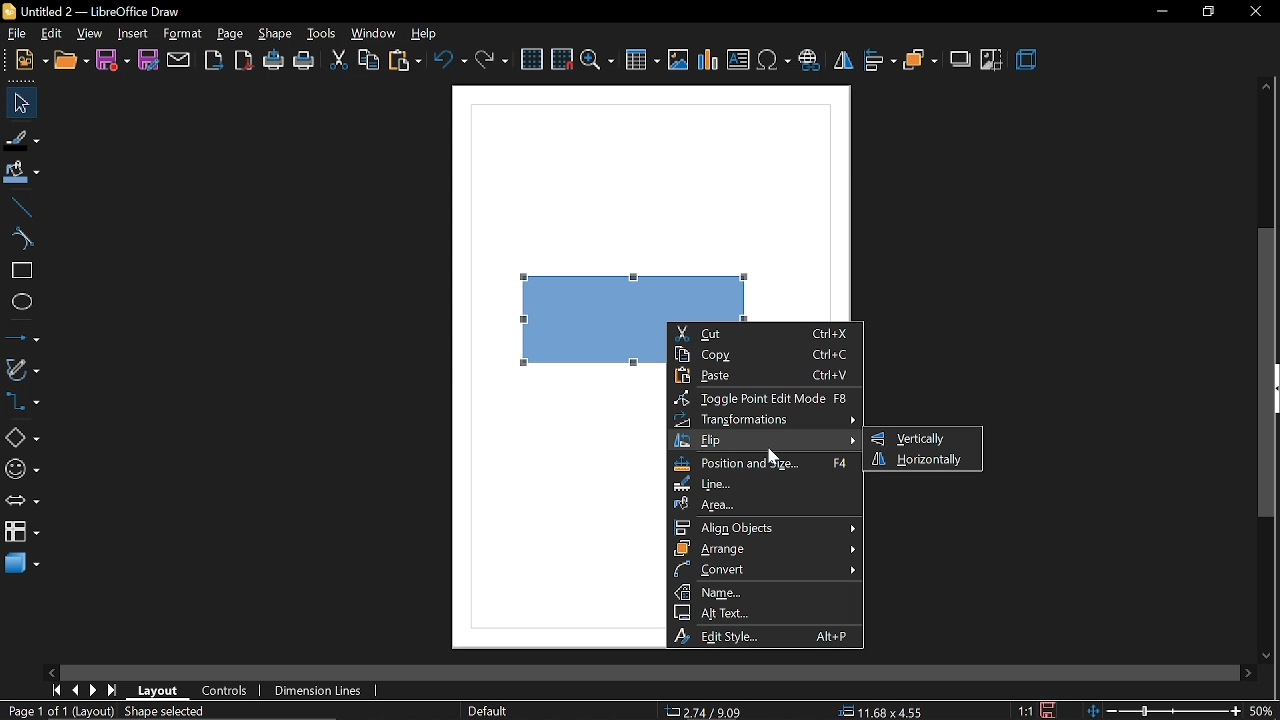 The image size is (1280, 720). Describe the element at coordinates (274, 59) in the screenshot. I see `print directly` at that location.